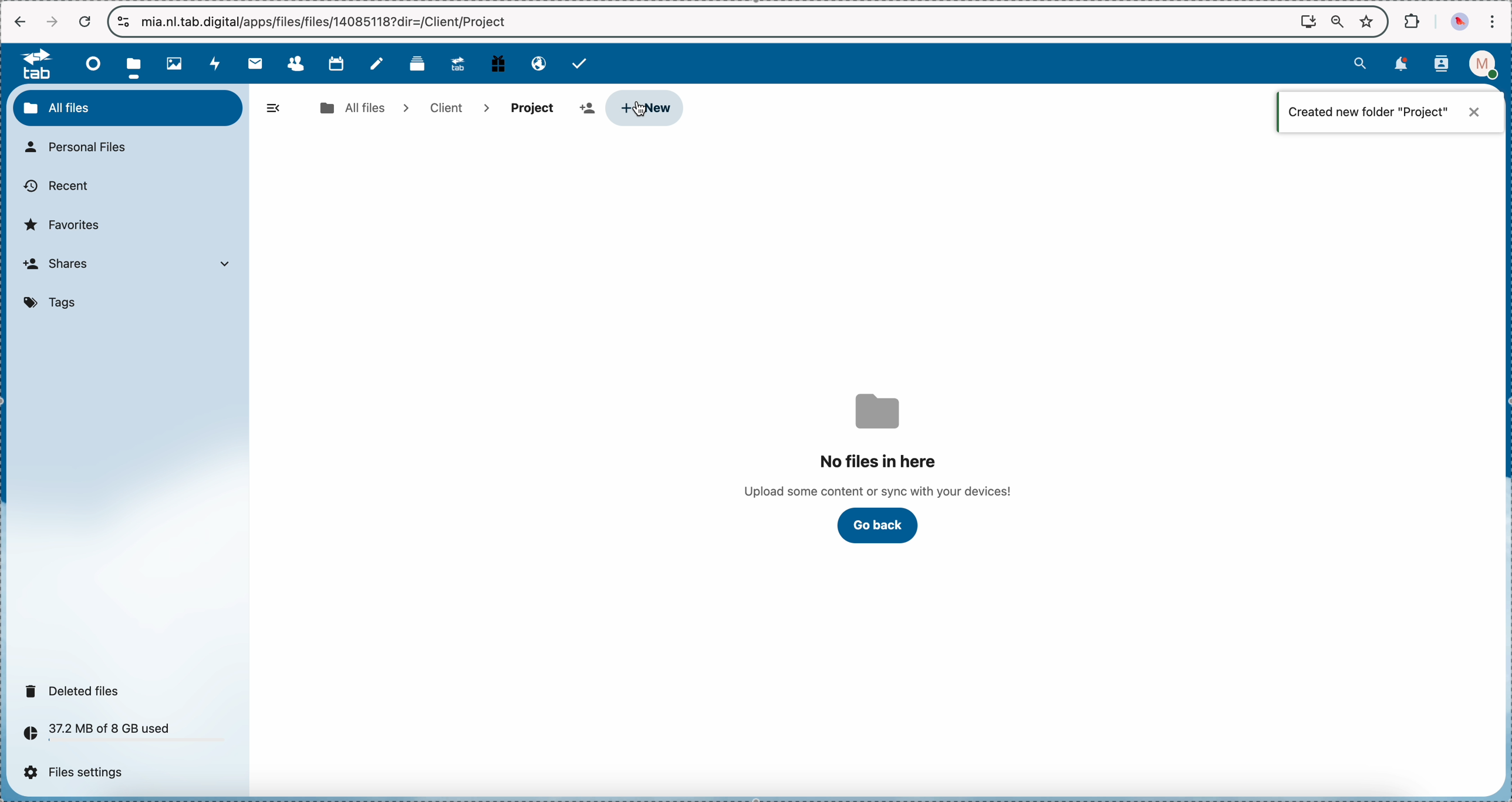 The height and width of the screenshot is (802, 1512). What do you see at coordinates (536, 62) in the screenshot?
I see `email` at bounding box center [536, 62].